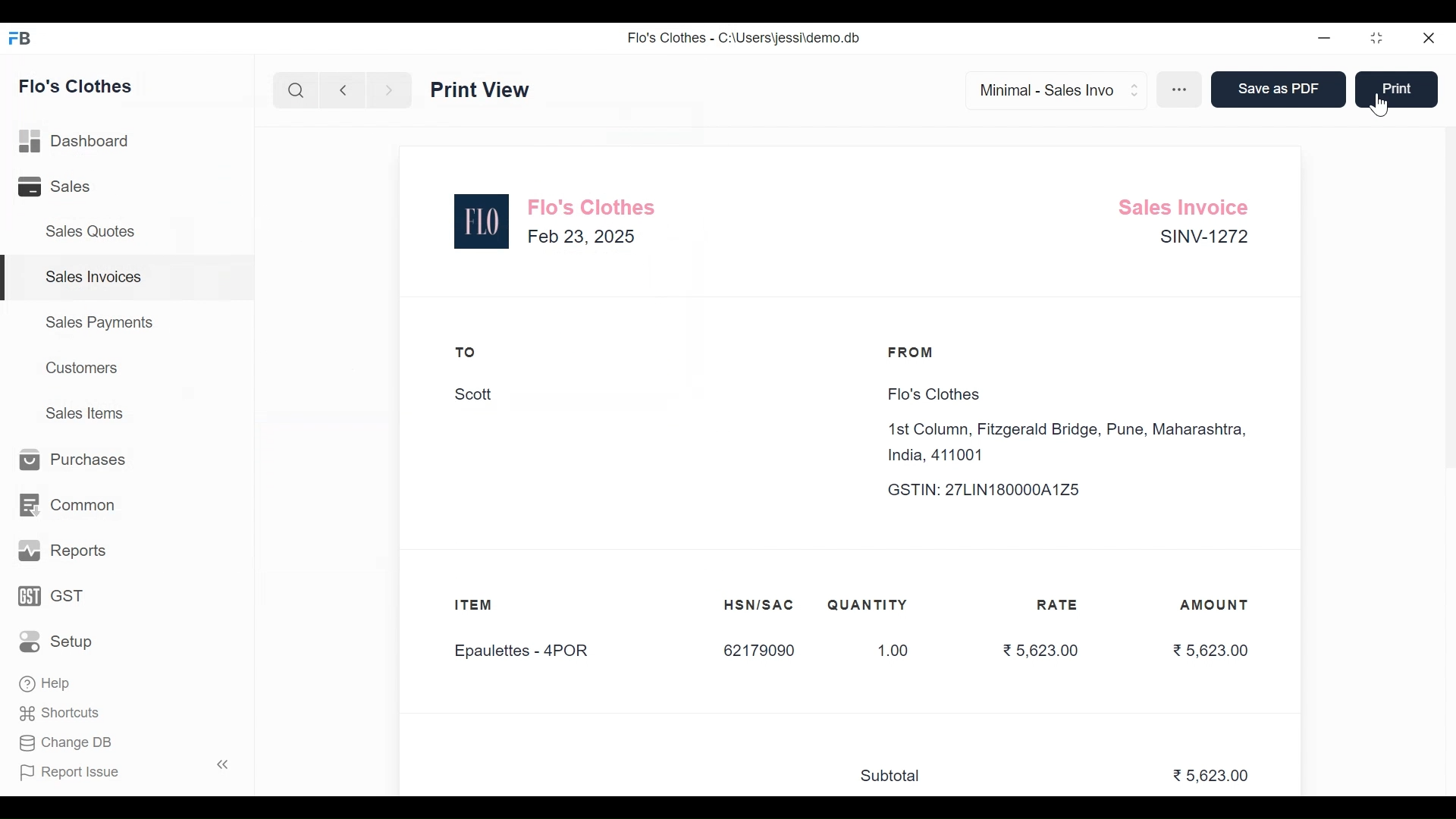  What do you see at coordinates (76, 142) in the screenshot?
I see `Dashboard` at bounding box center [76, 142].